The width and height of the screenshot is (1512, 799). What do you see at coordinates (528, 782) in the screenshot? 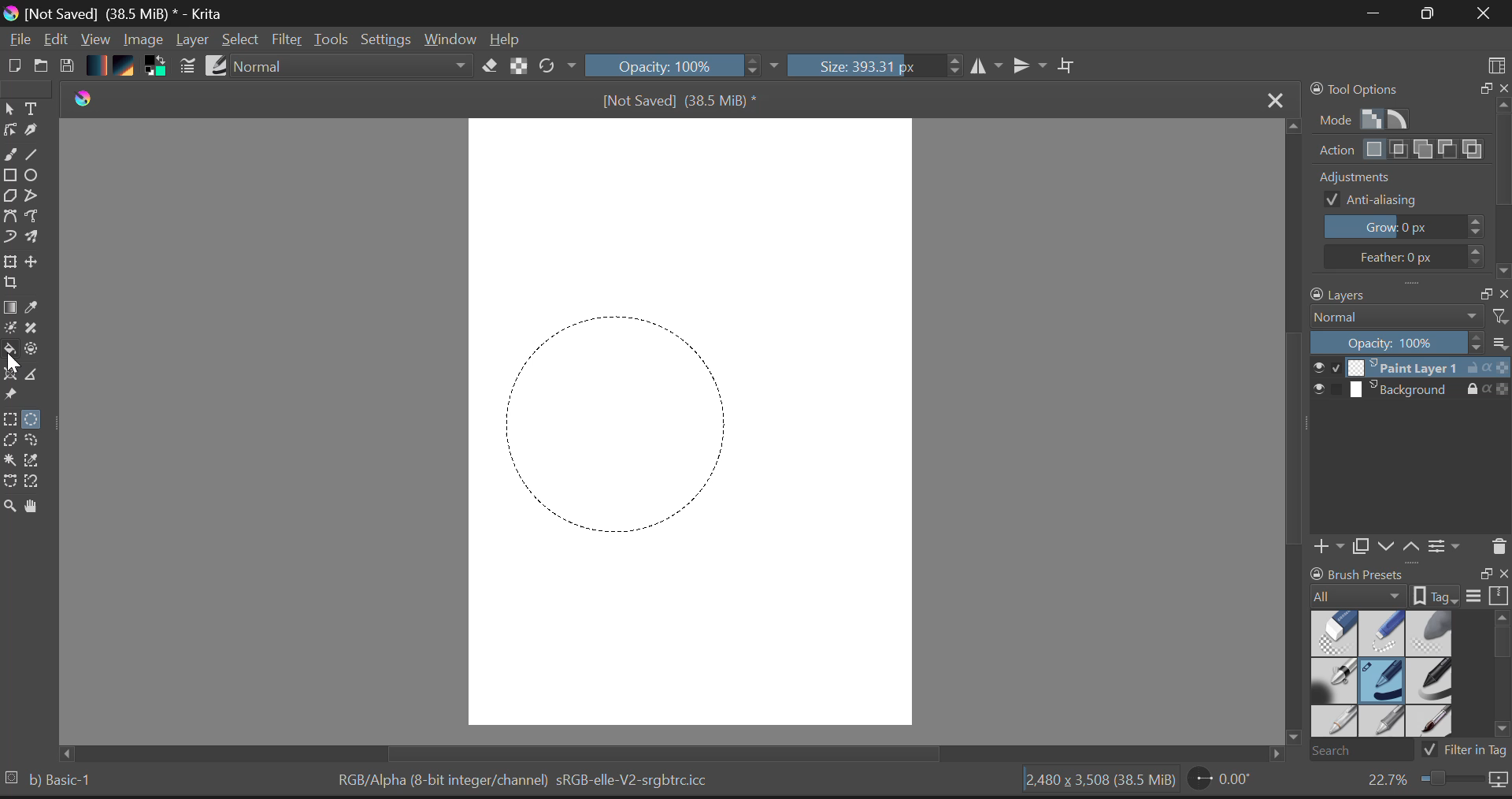
I see `Color Information` at bounding box center [528, 782].